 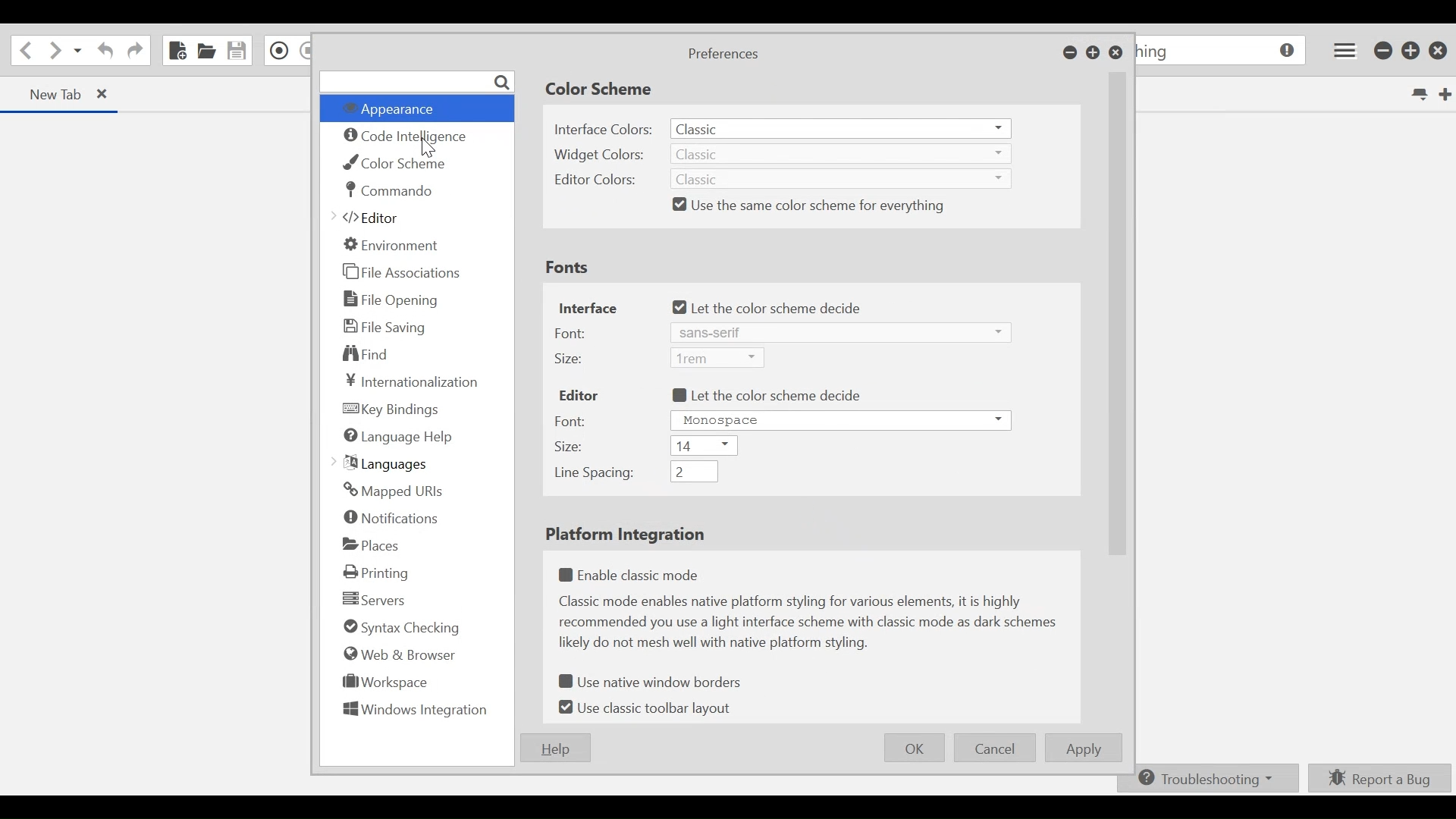 I want to click on Font:, so click(x=572, y=332).